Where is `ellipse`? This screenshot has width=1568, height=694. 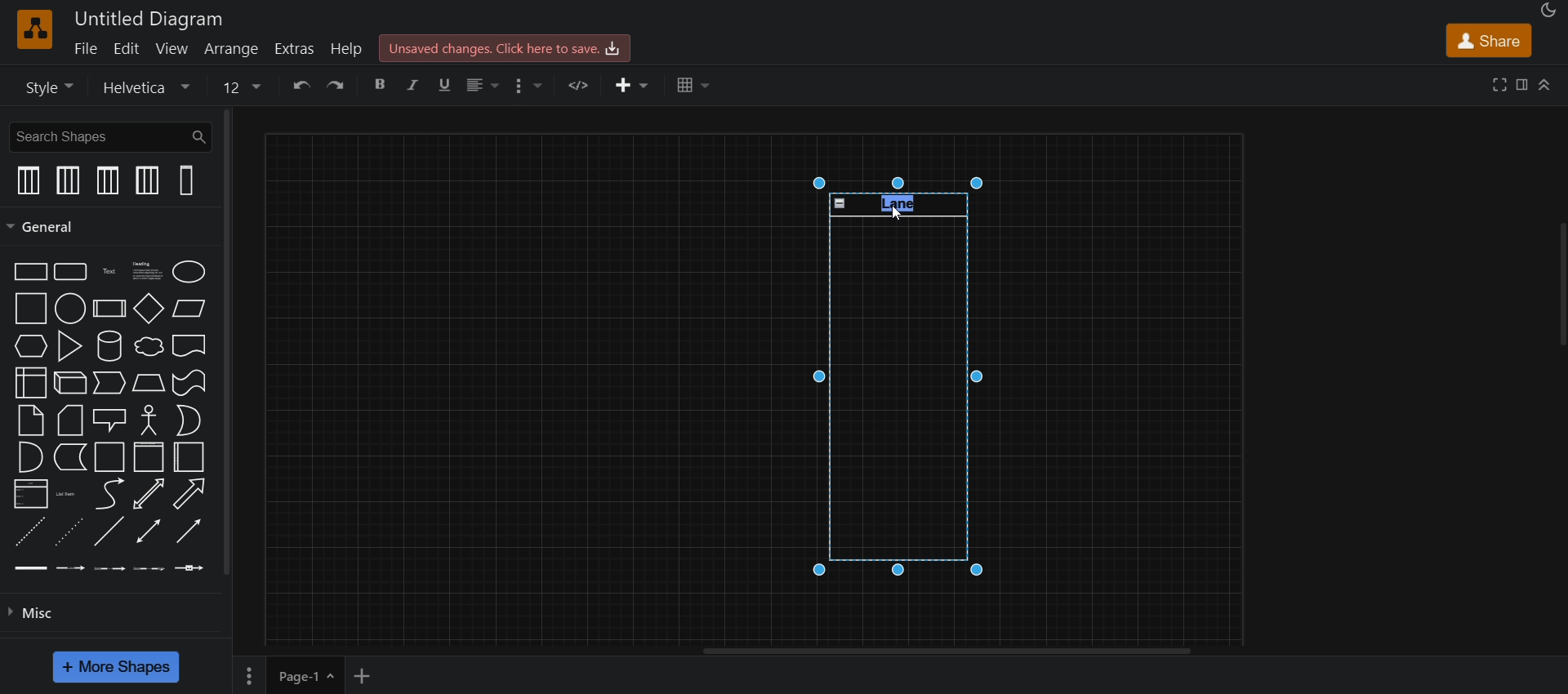 ellipse is located at coordinates (192, 270).